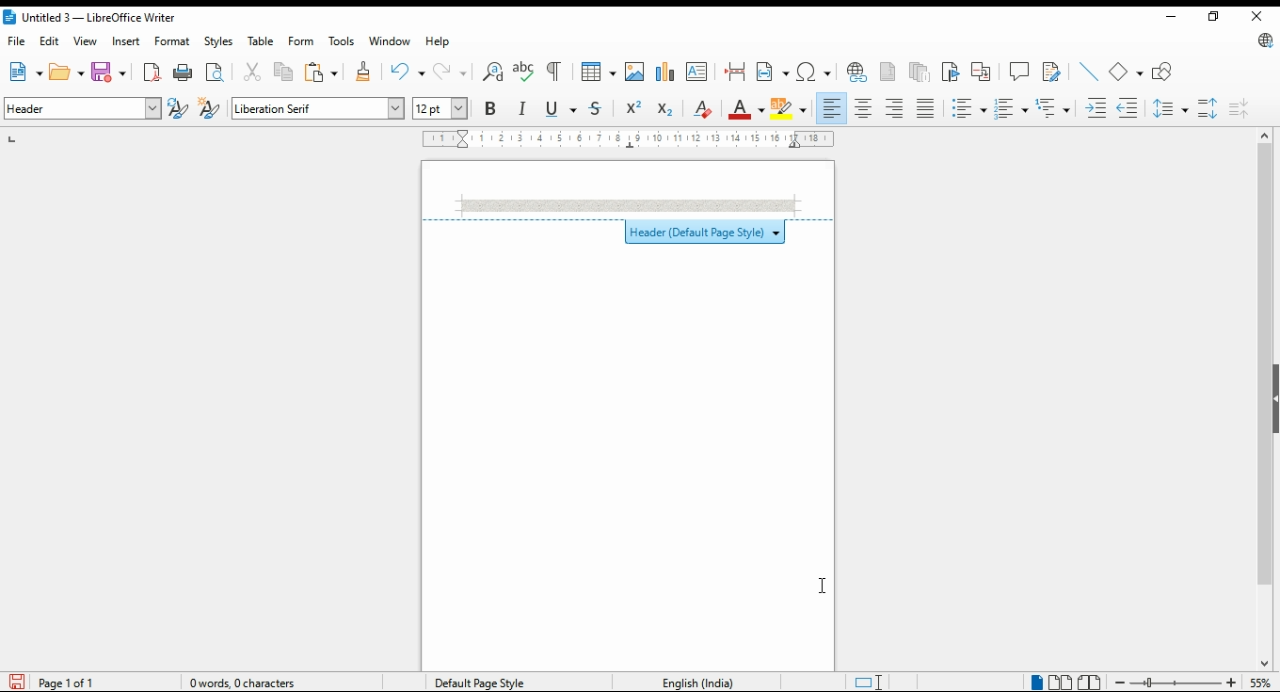 The width and height of the screenshot is (1280, 692). What do you see at coordinates (921, 71) in the screenshot?
I see `insert endnote` at bounding box center [921, 71].